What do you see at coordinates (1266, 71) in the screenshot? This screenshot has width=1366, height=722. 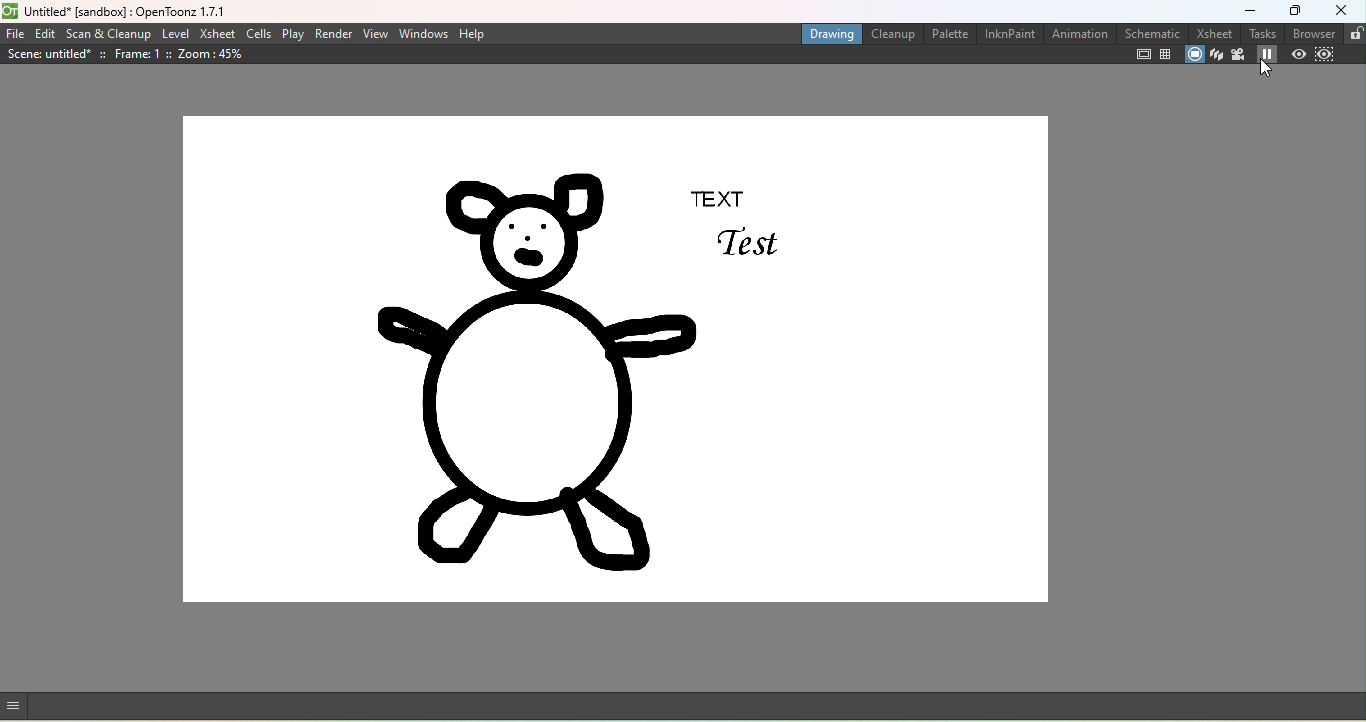 I see `cursor` at bounding box center [1266, 71].